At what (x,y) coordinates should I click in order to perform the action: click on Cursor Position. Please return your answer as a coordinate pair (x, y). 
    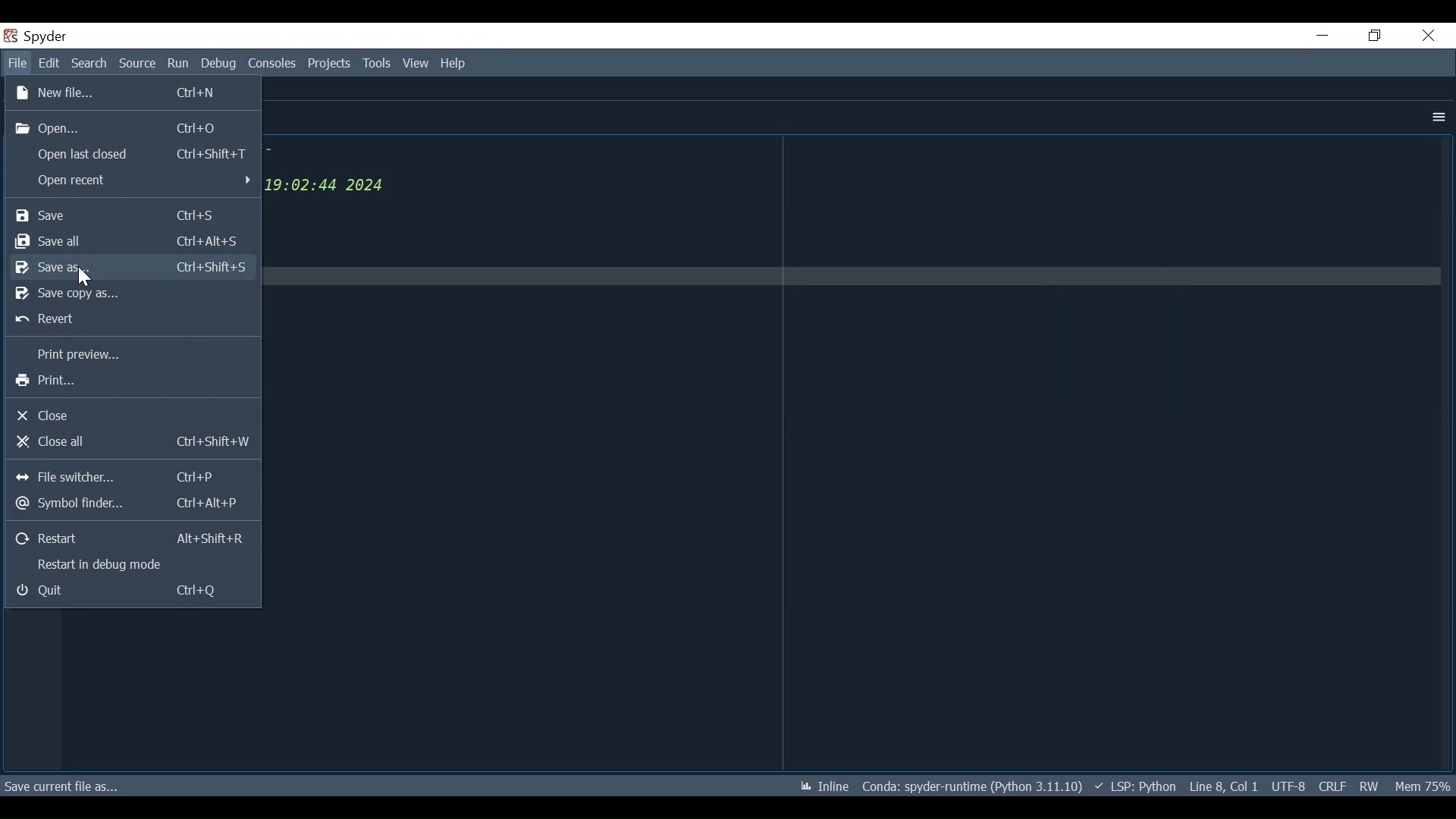
    Looking at the image, I should click on (1223, 786).